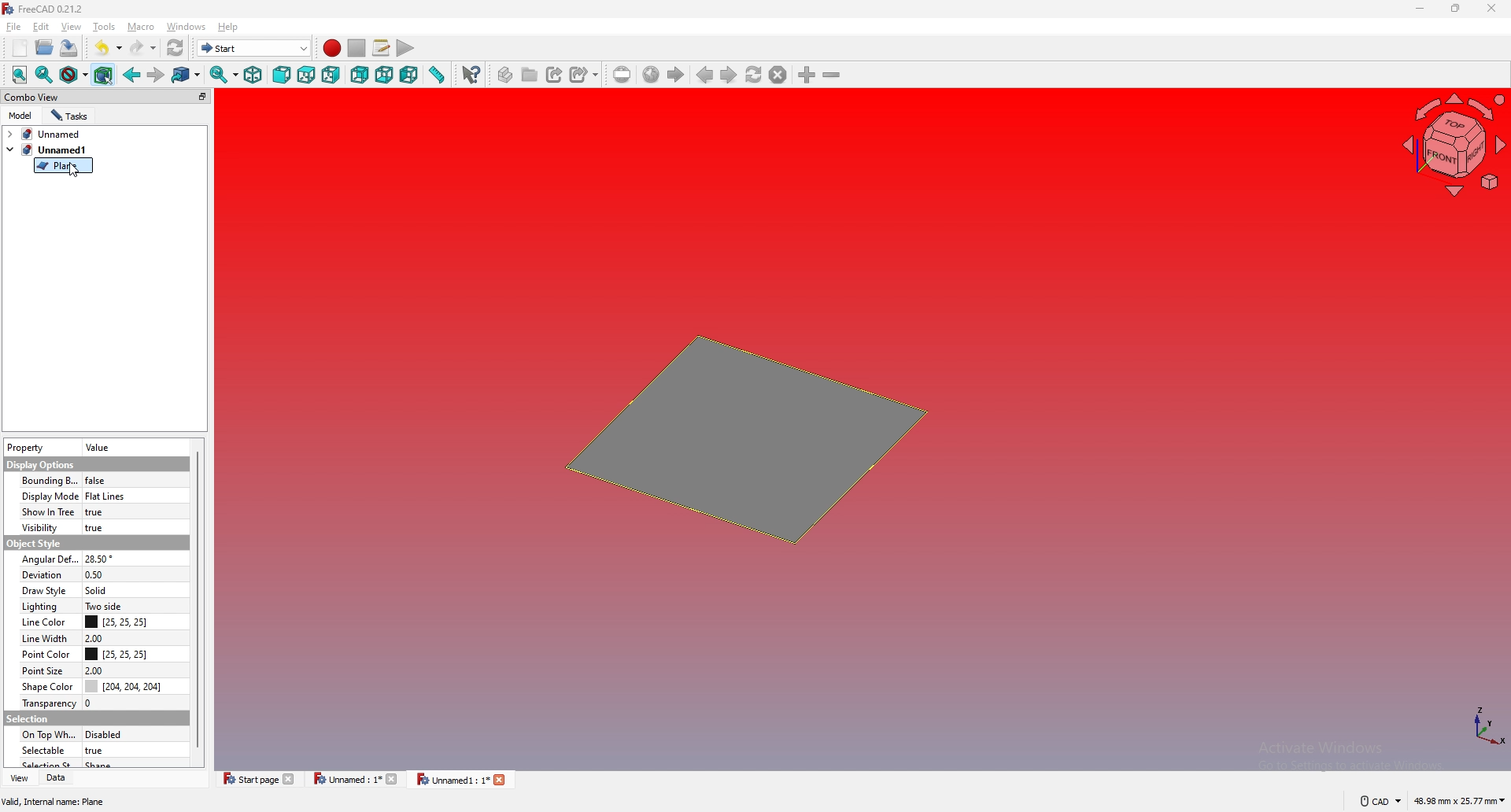  Describe the element at coordinates (29, 718) in the screenshot. I see `selection` at that location.